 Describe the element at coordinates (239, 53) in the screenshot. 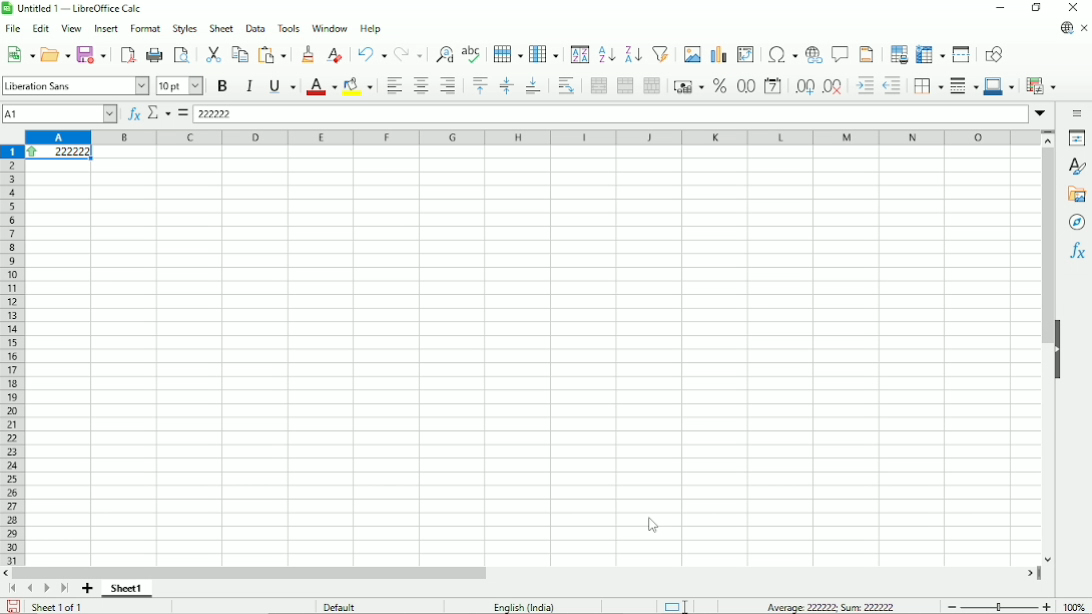

I see `Copy` at that location.